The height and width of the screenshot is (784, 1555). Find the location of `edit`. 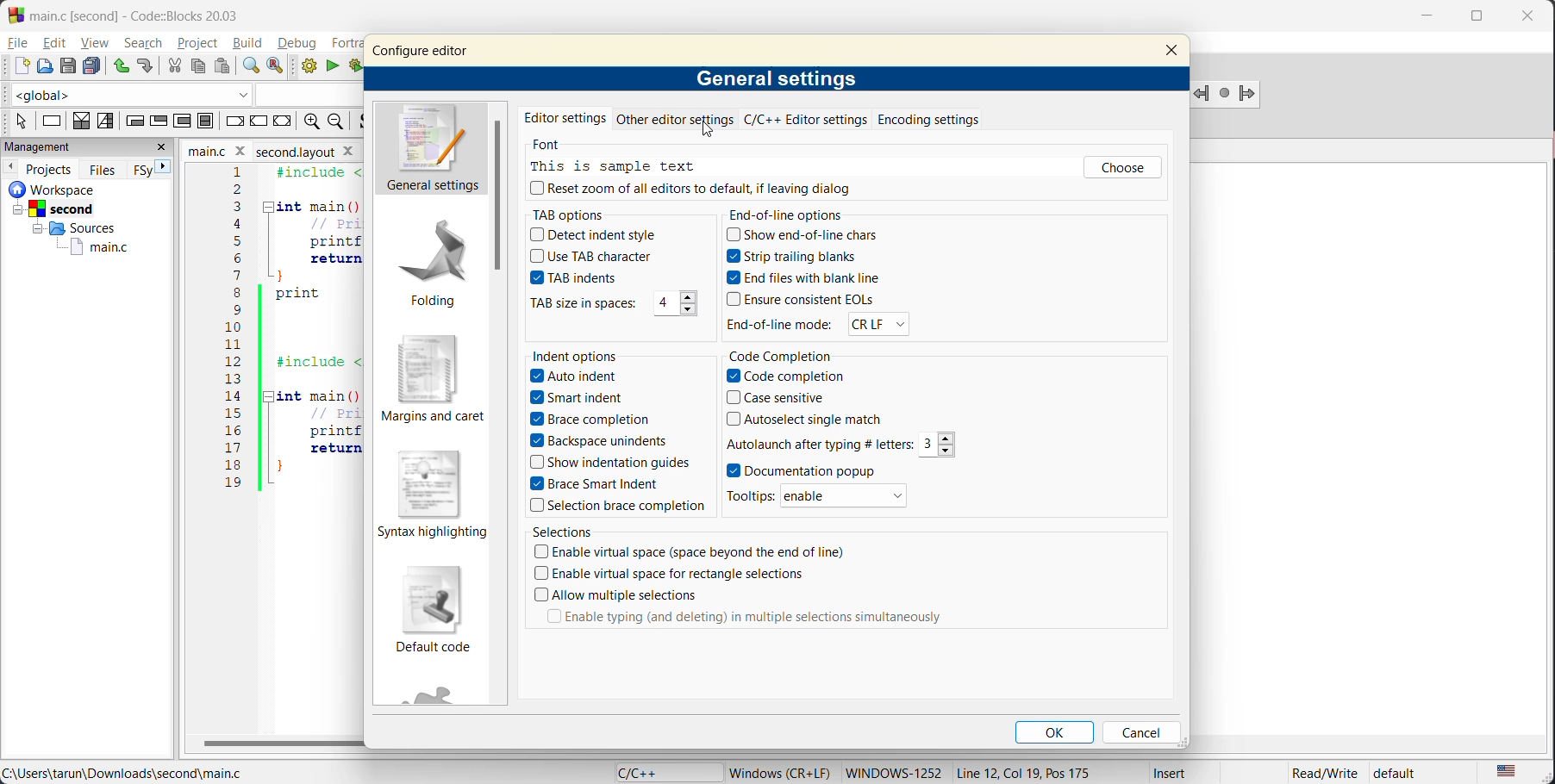

edit is located at coordinates (54, 44).